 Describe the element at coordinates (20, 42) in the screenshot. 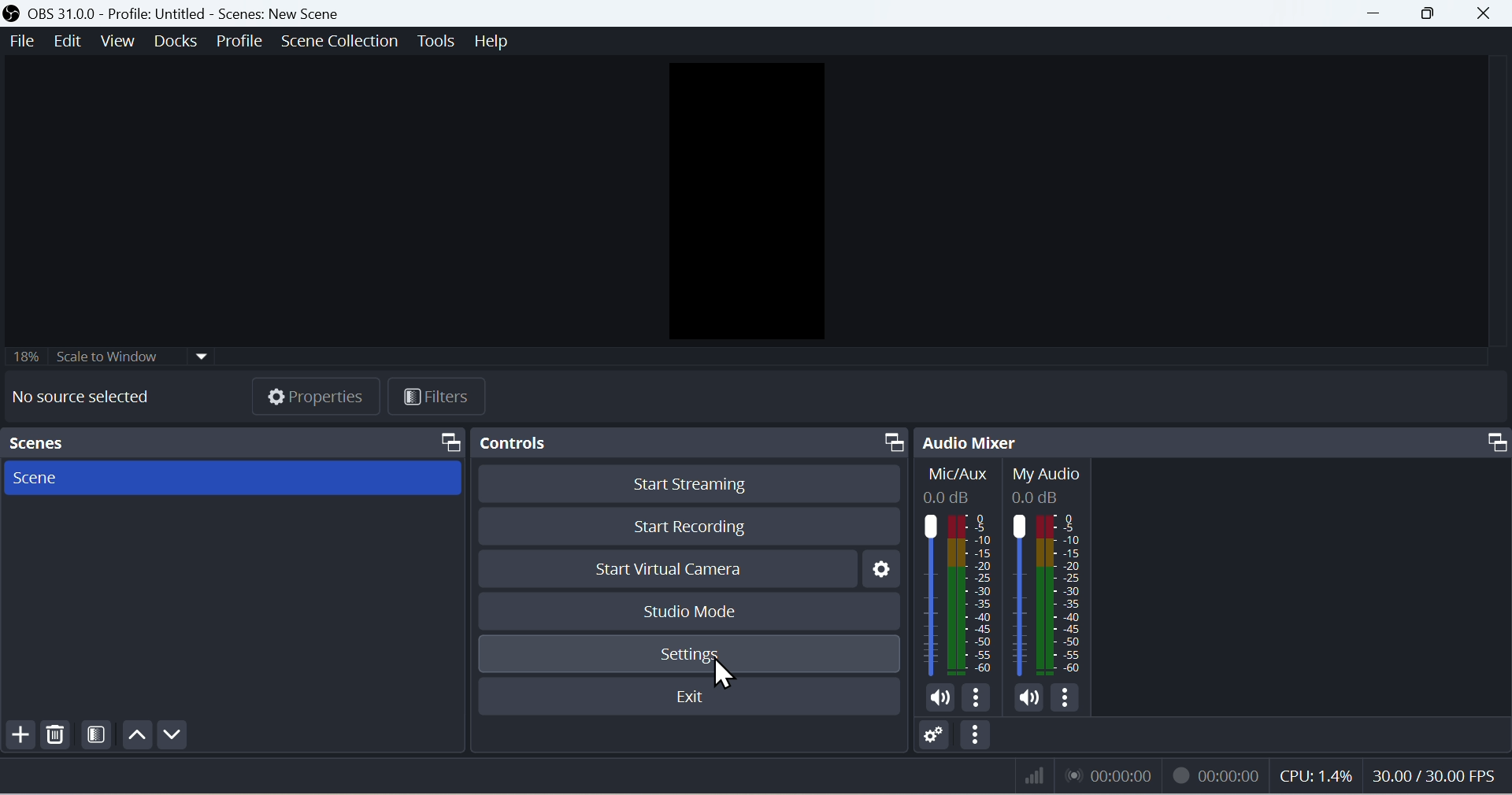

I see `File` at that location.